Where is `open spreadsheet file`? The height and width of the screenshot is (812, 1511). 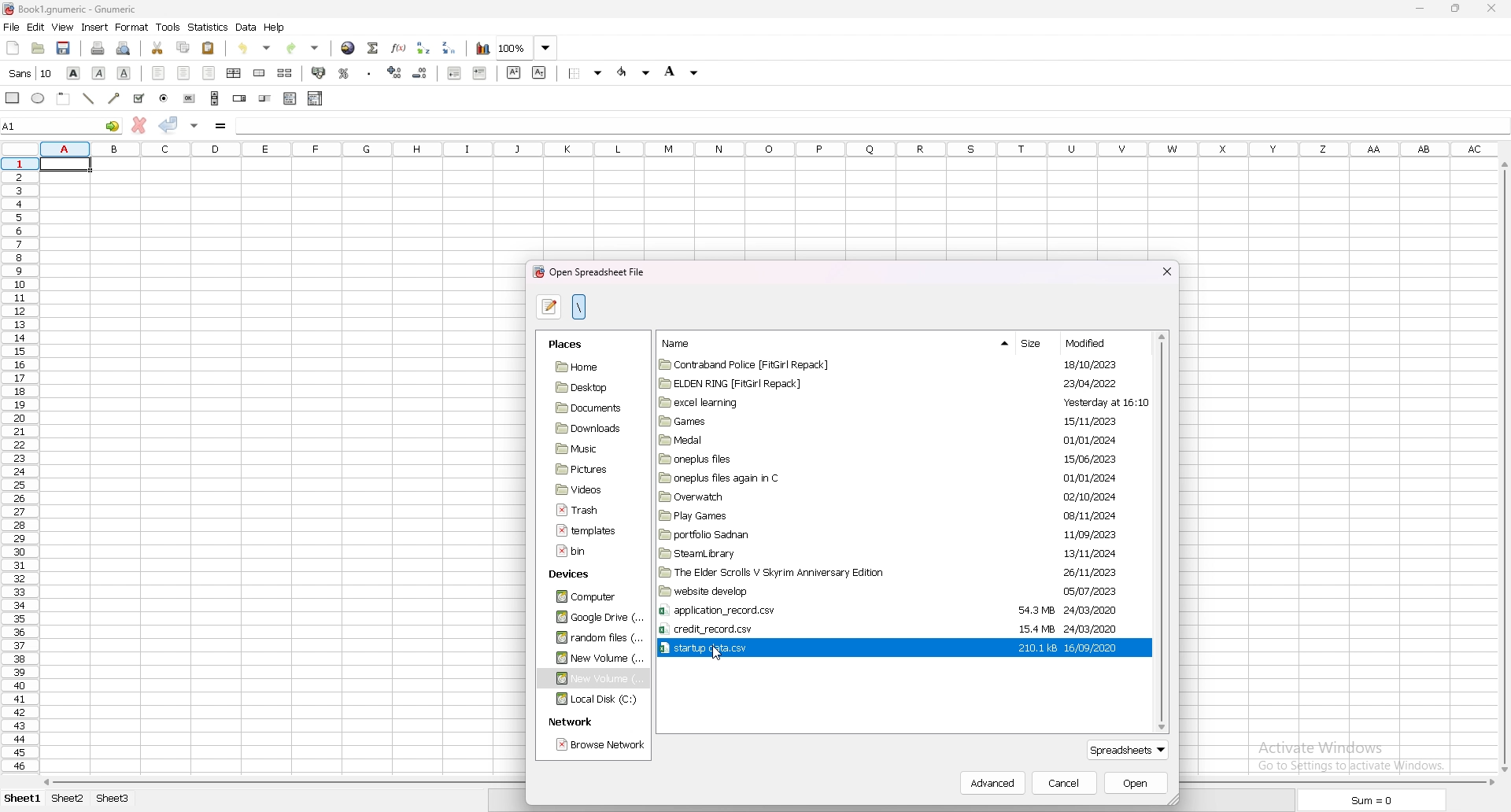
open spreadsheet file is located at coordinates (590, 272).